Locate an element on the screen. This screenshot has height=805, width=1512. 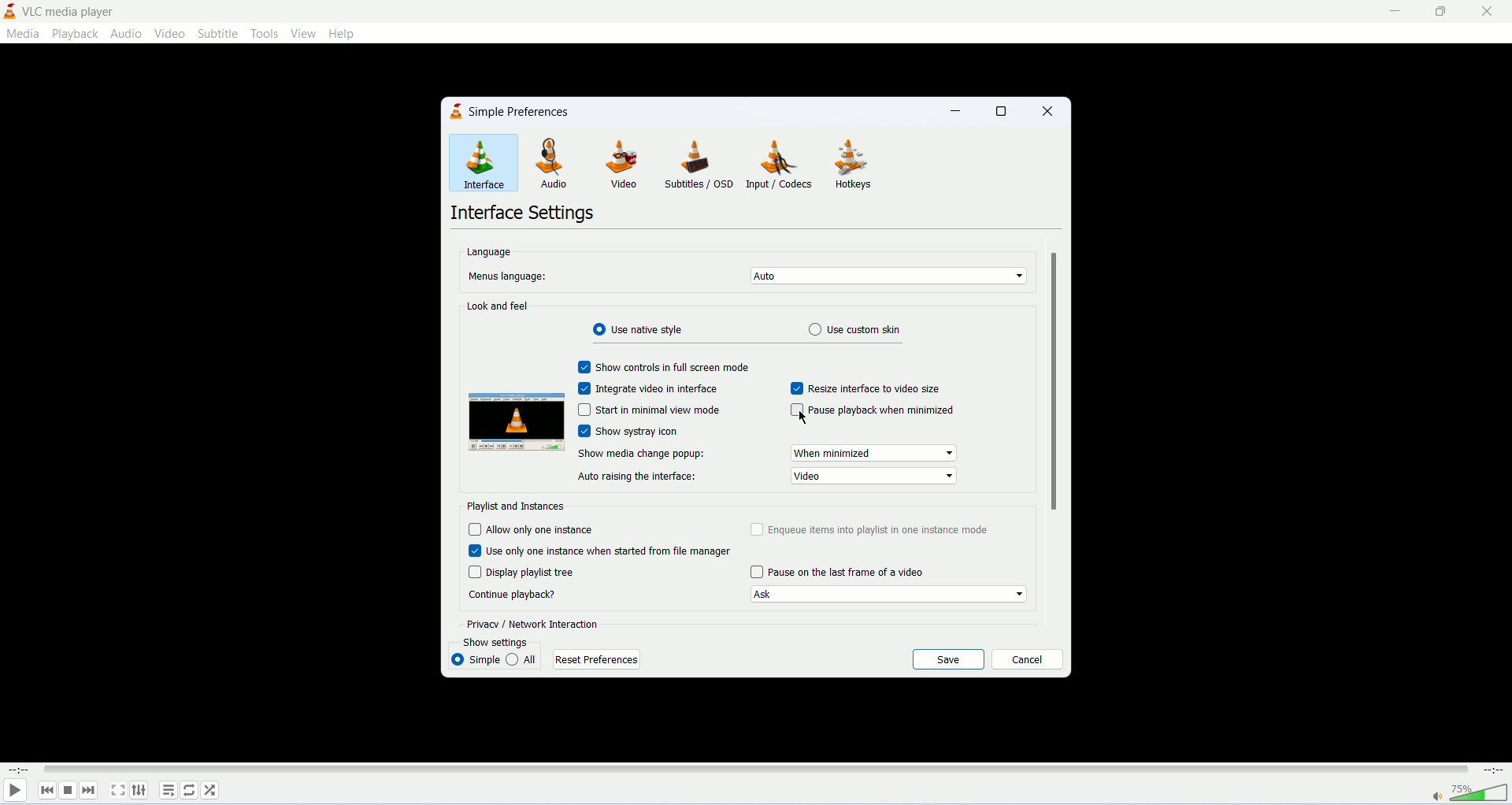
all is located at coordinates (524, 660).